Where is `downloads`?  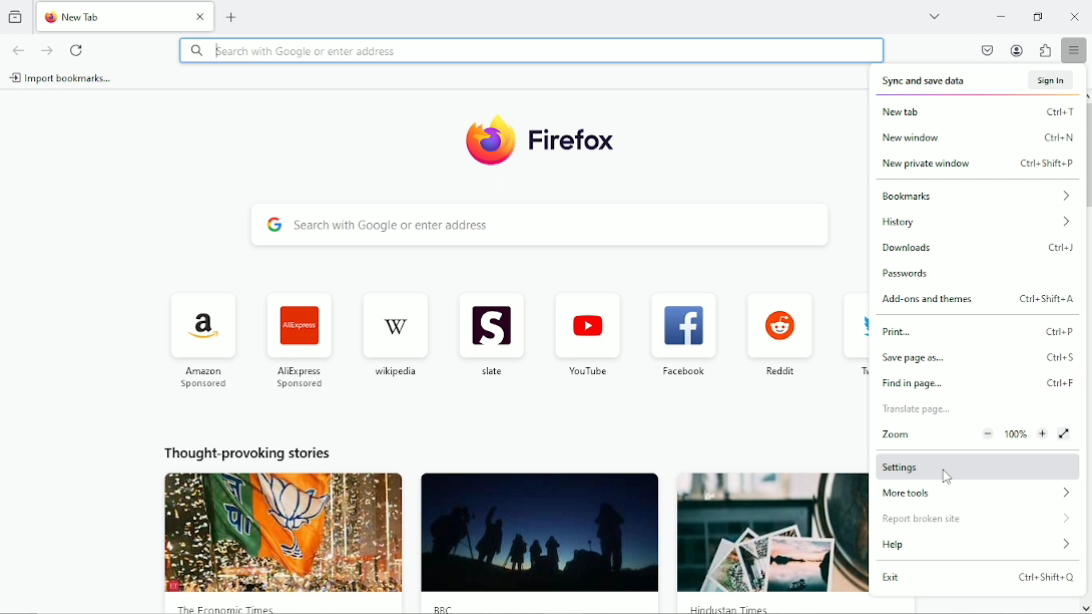
downloads is located at coordinates (977, 247).